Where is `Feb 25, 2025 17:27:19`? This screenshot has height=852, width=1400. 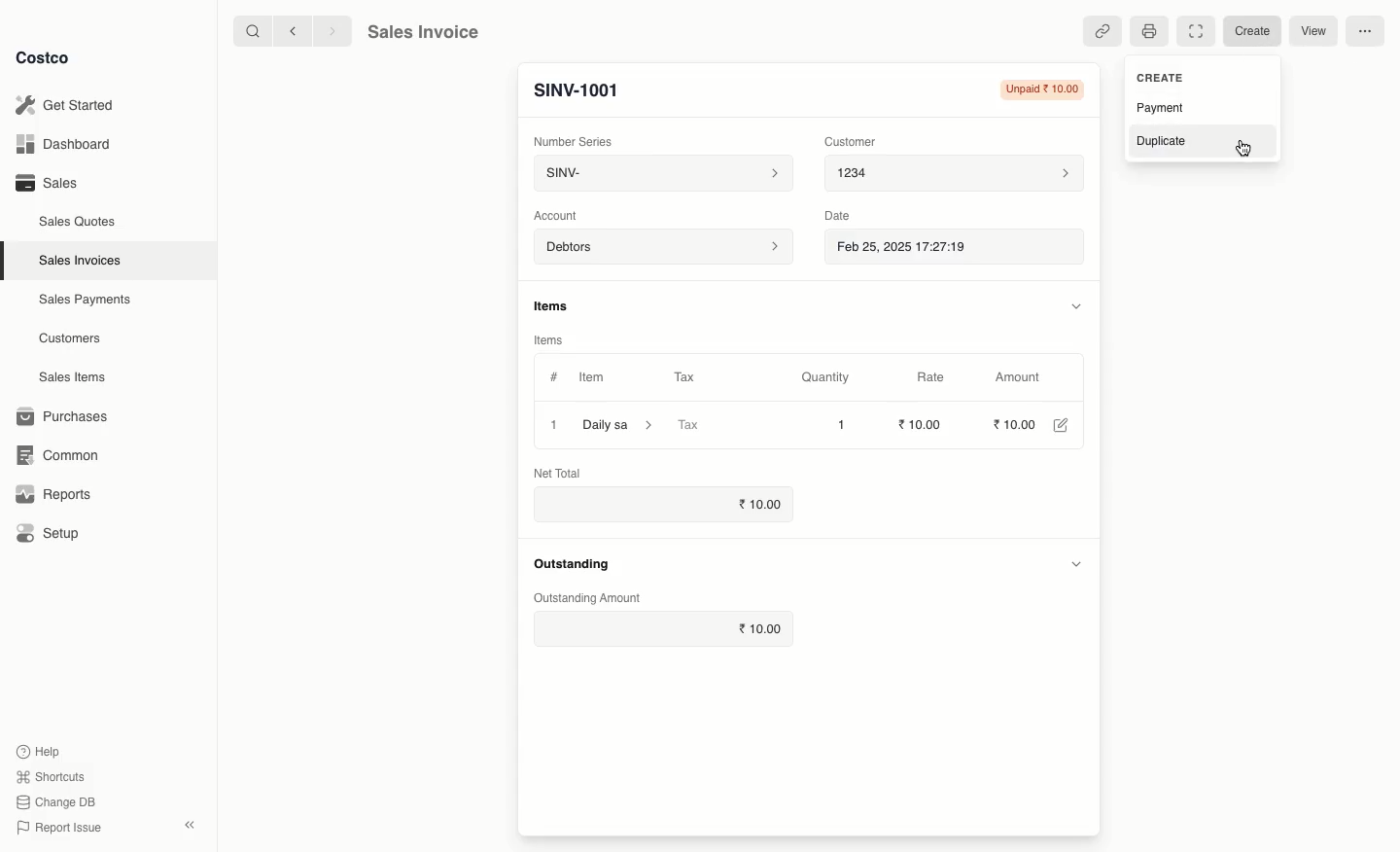
Feb 25, 2025 17:27:19 is located at coordinates (915, 249).